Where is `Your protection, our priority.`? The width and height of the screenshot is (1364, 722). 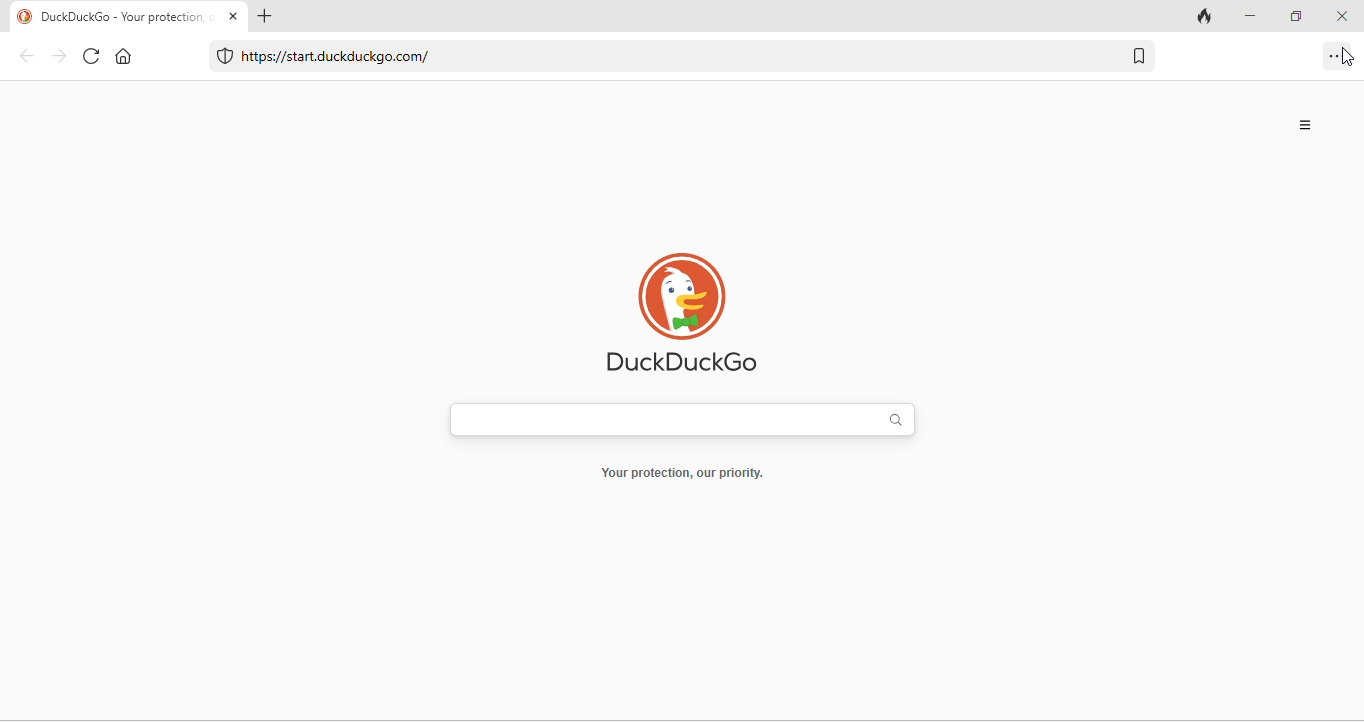
Your protection, our priority. is located at coordinates (686, 474).